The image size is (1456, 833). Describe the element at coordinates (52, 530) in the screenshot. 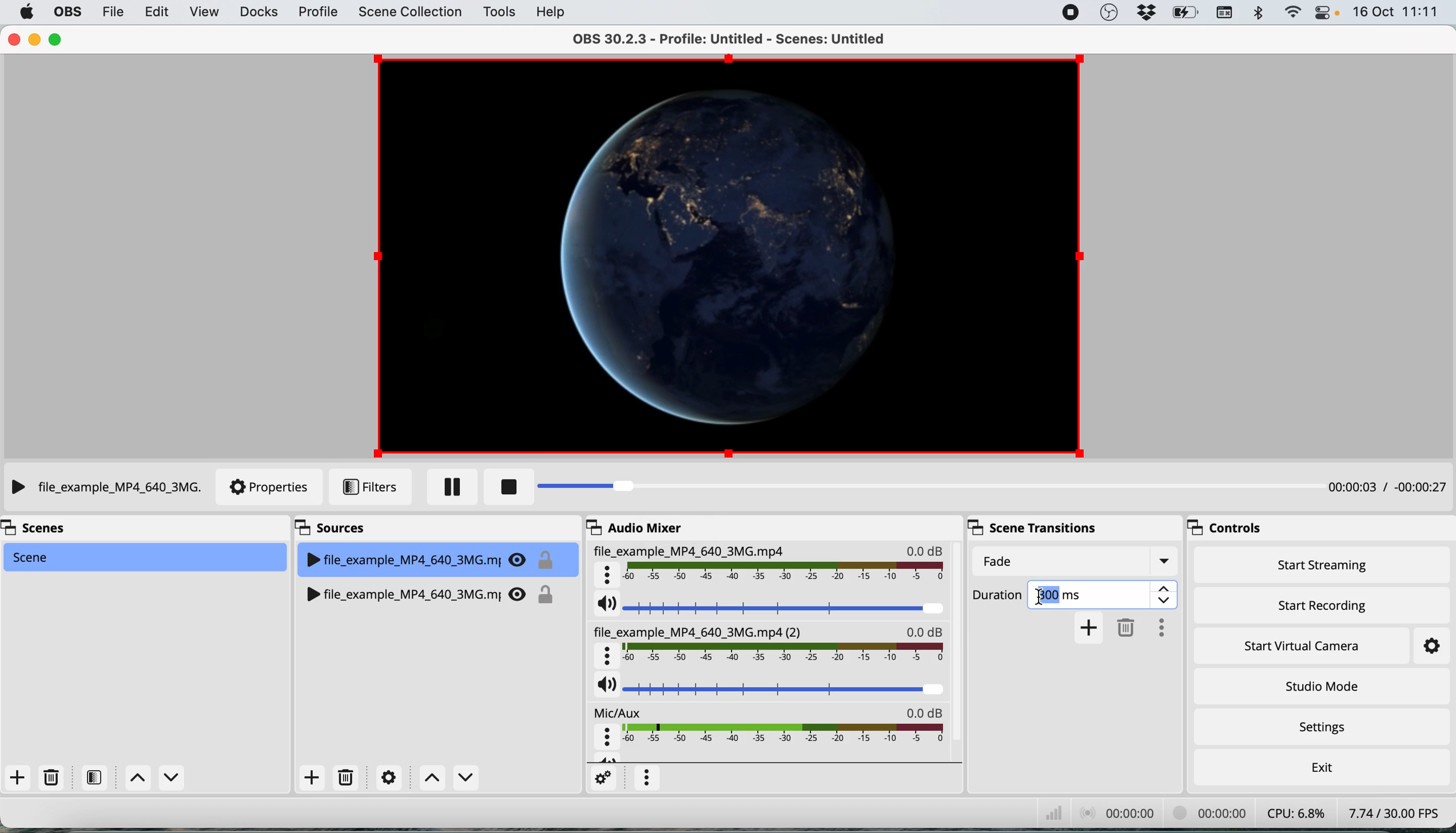

I see `scenes` at that location.